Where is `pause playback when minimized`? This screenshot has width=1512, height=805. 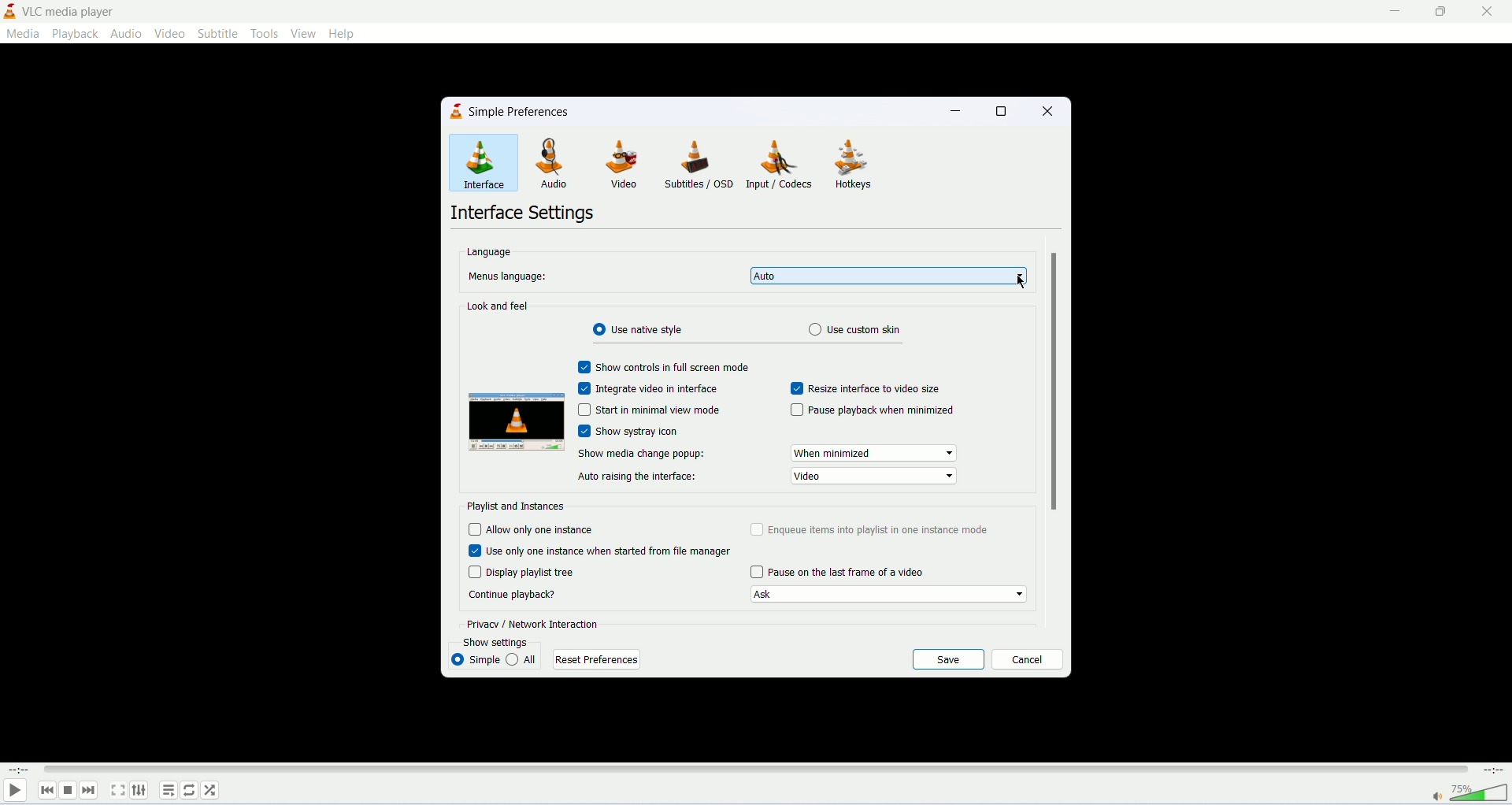 pause playback when minimized is located at coordinates (872, 410).